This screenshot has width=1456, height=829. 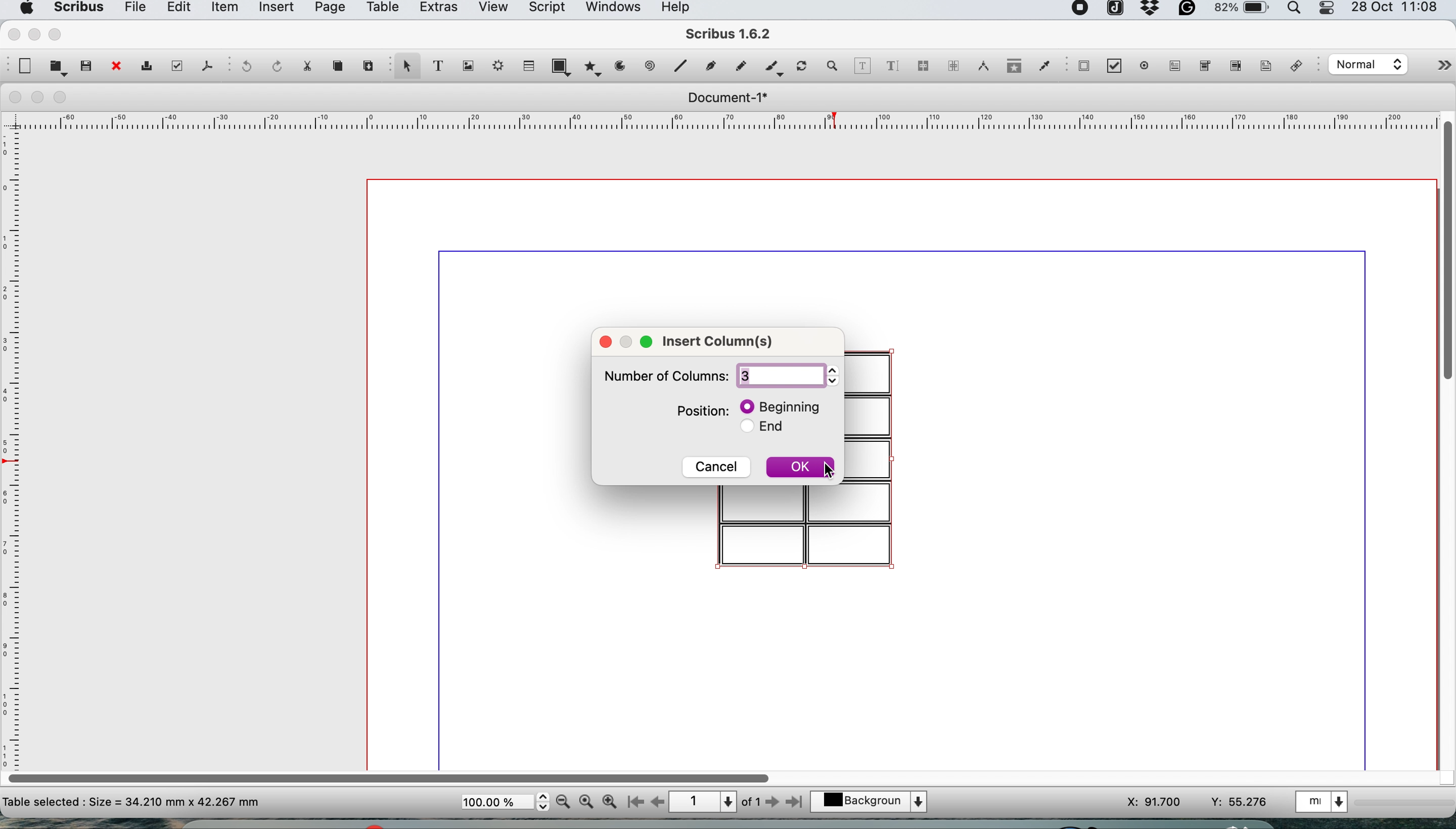 I want to click on link text frames, so click(x=922, y=68).